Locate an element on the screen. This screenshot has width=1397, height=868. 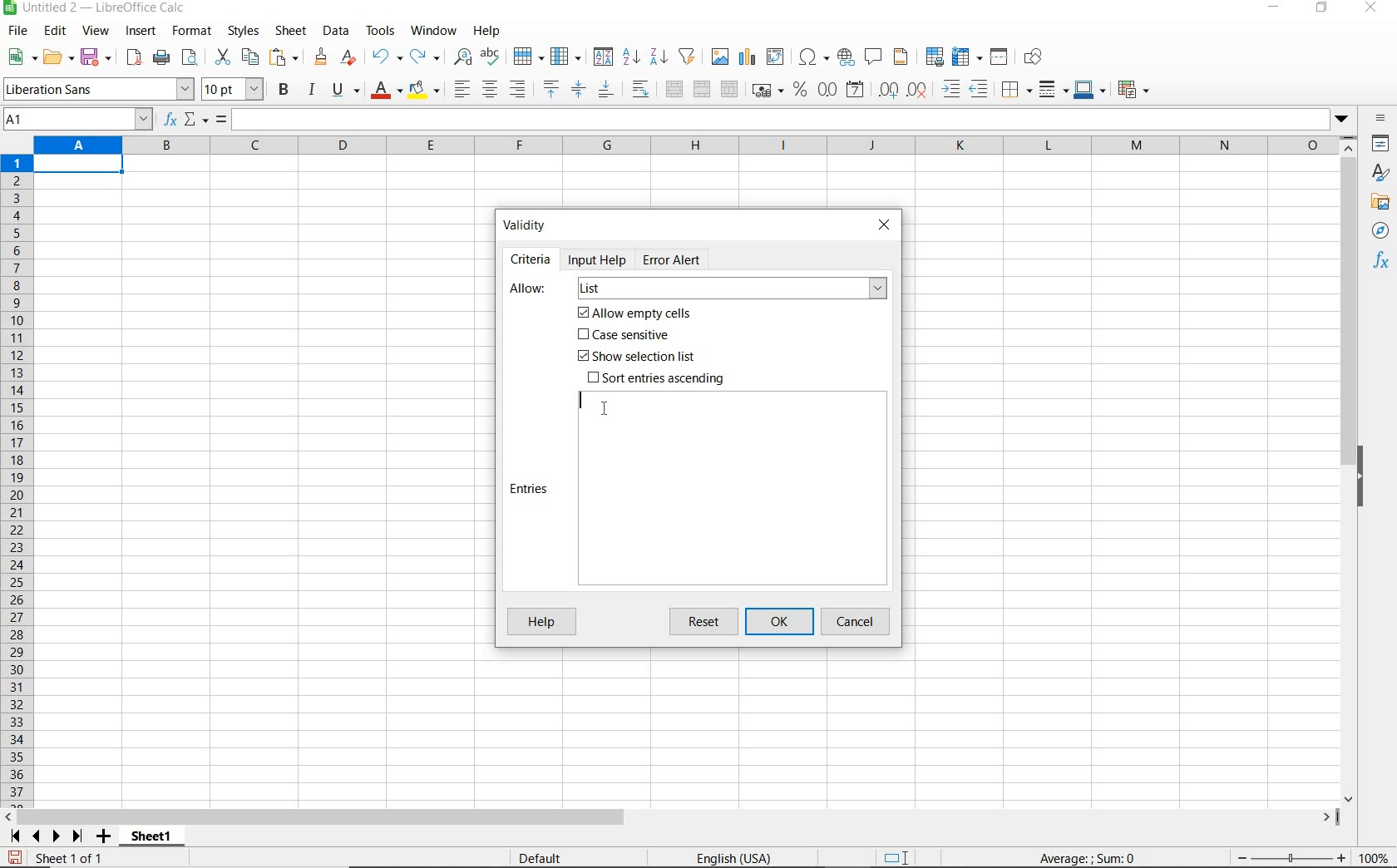
borders is located at coordinates (1017, 90).